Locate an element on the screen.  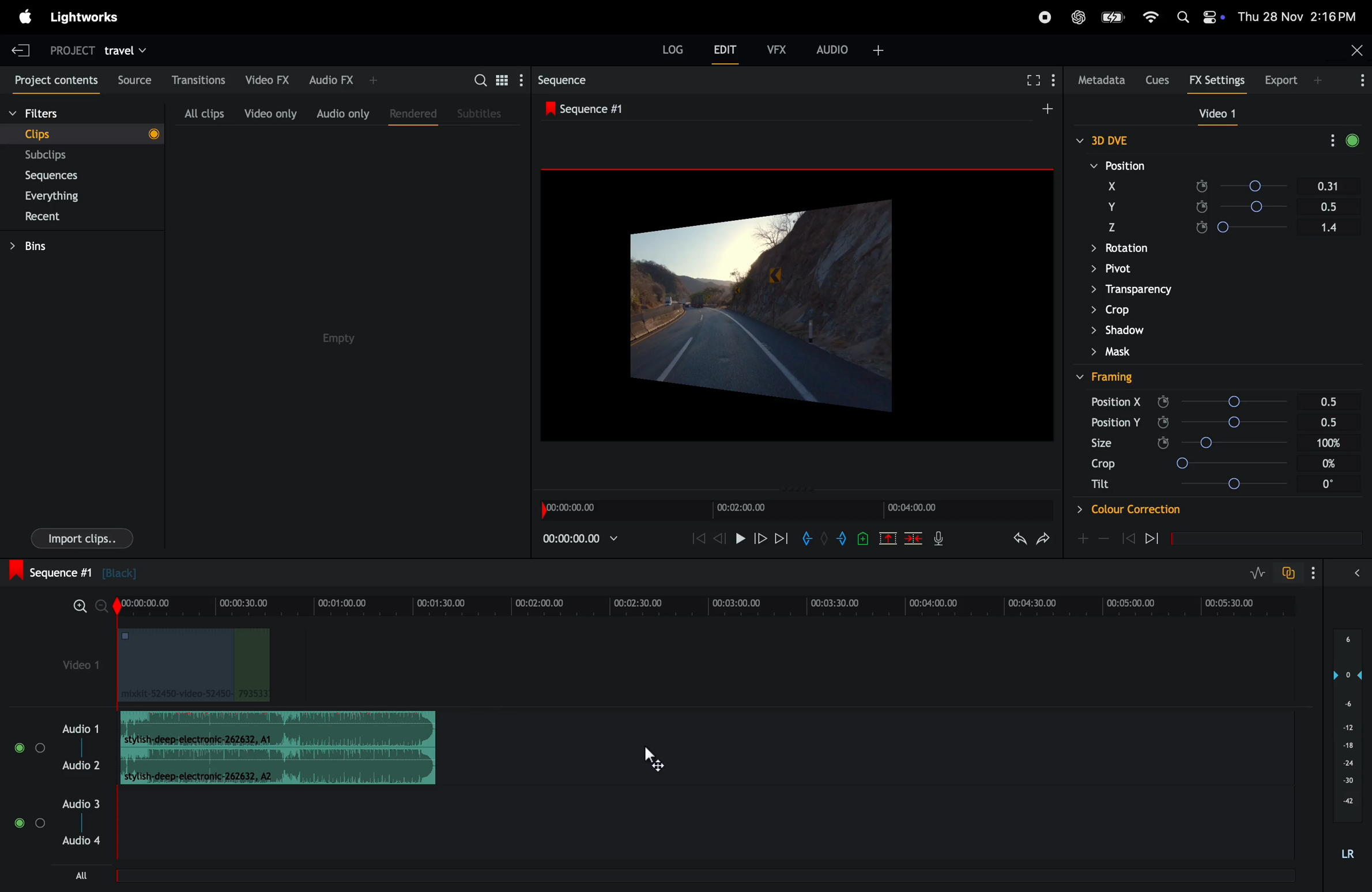
 is located at coordinates (1331, 442).